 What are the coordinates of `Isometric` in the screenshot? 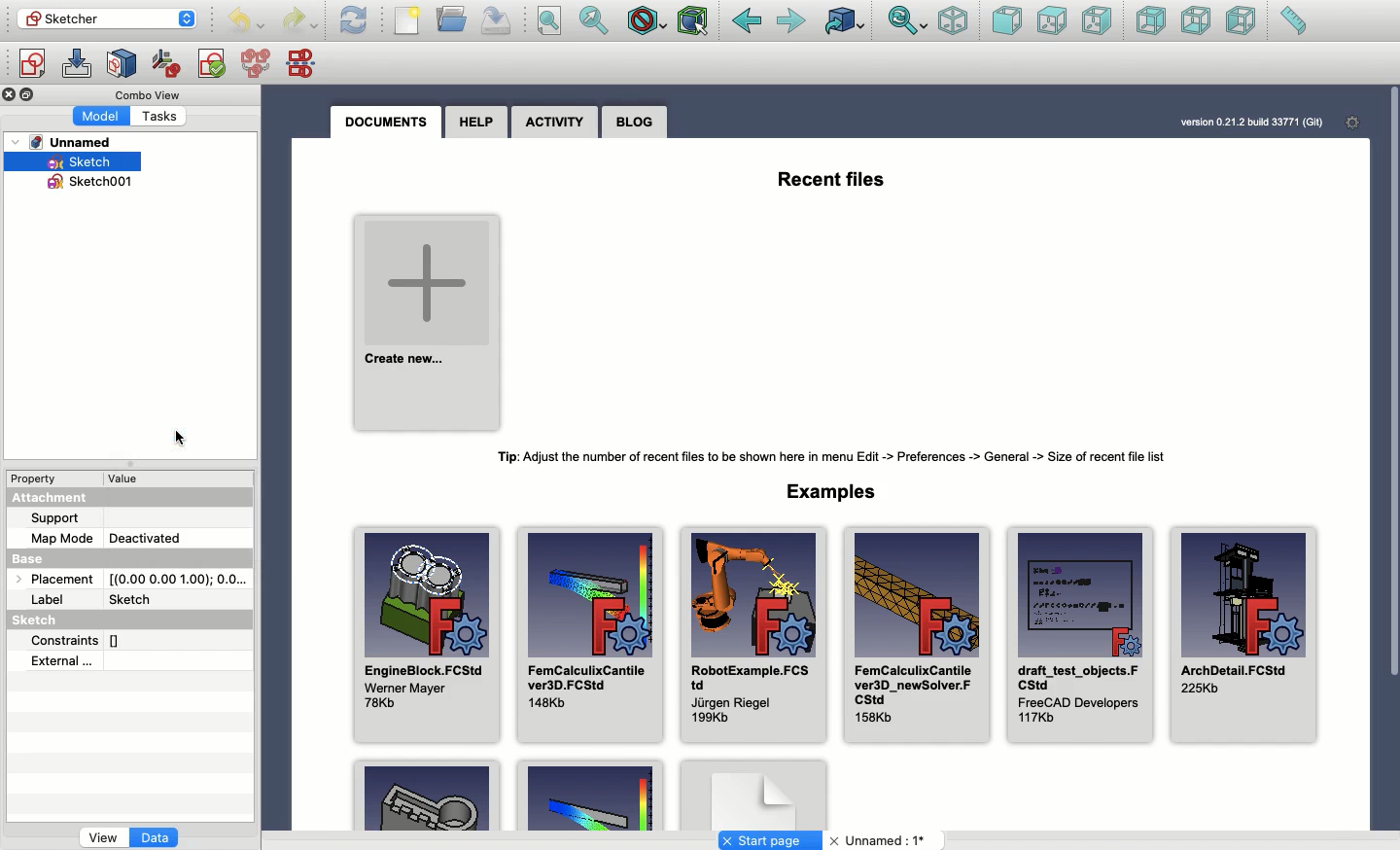 It's located at (954, 20).